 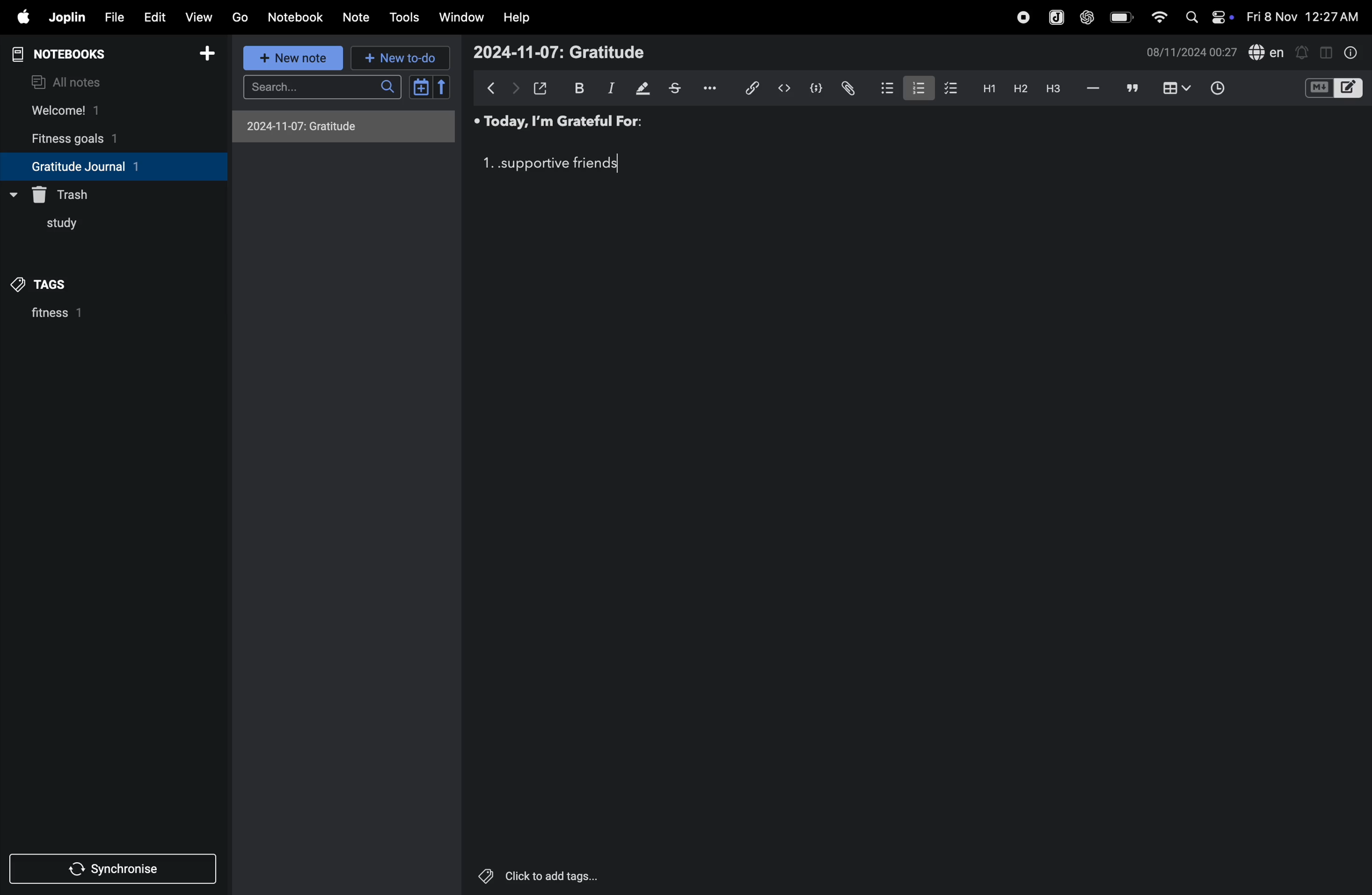 I want to click on heading 2, so click(x=1017, y=89).